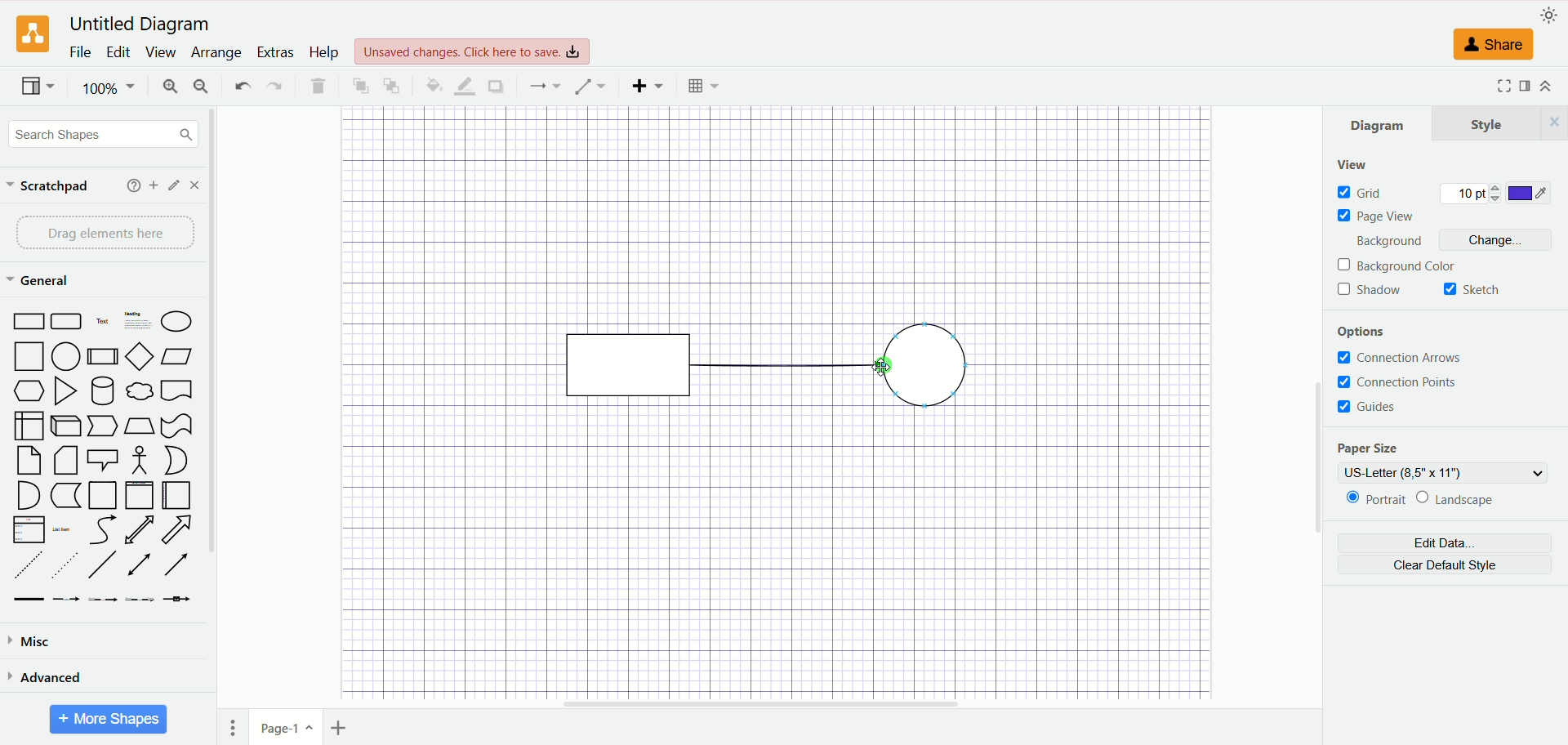 This screenshot has width=1568, height=745. I want to click on Folded Corner Page, so click(65, 460).